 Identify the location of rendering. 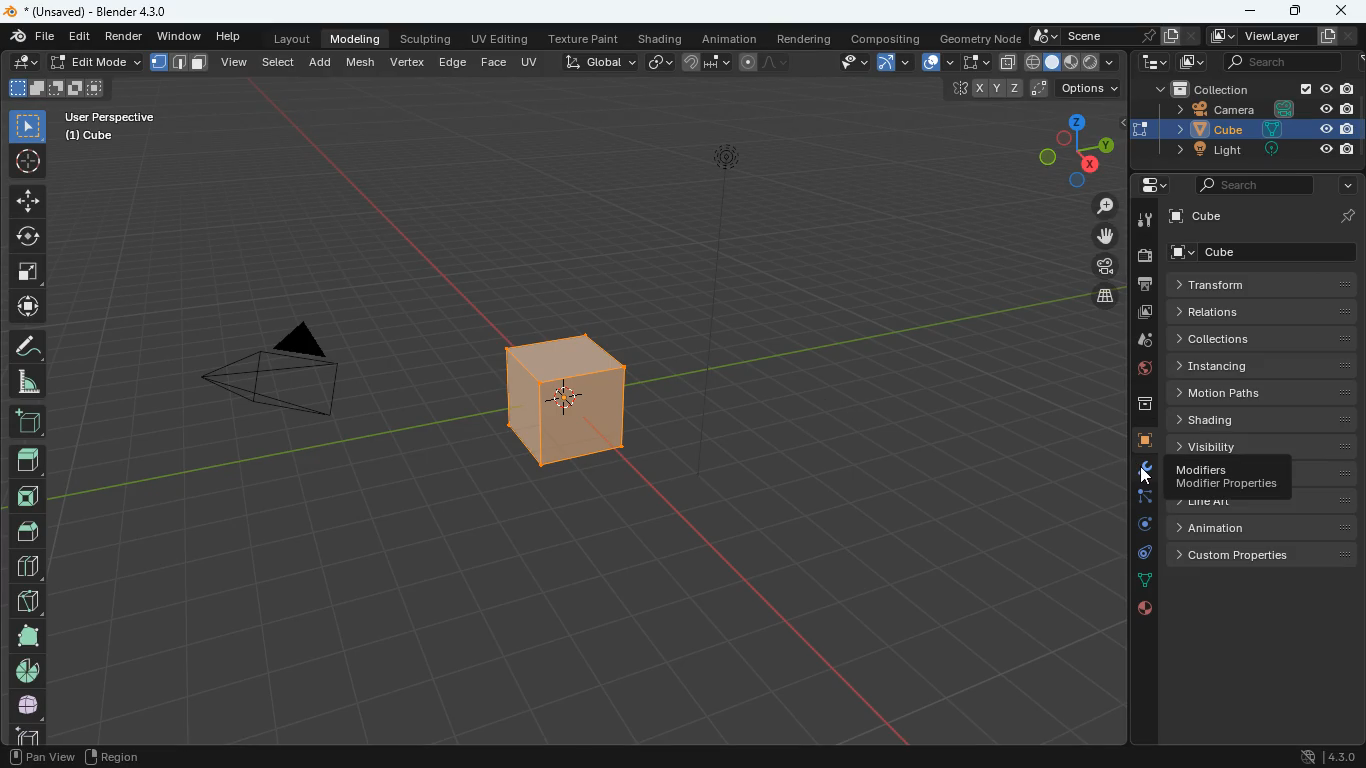
(805, 35).